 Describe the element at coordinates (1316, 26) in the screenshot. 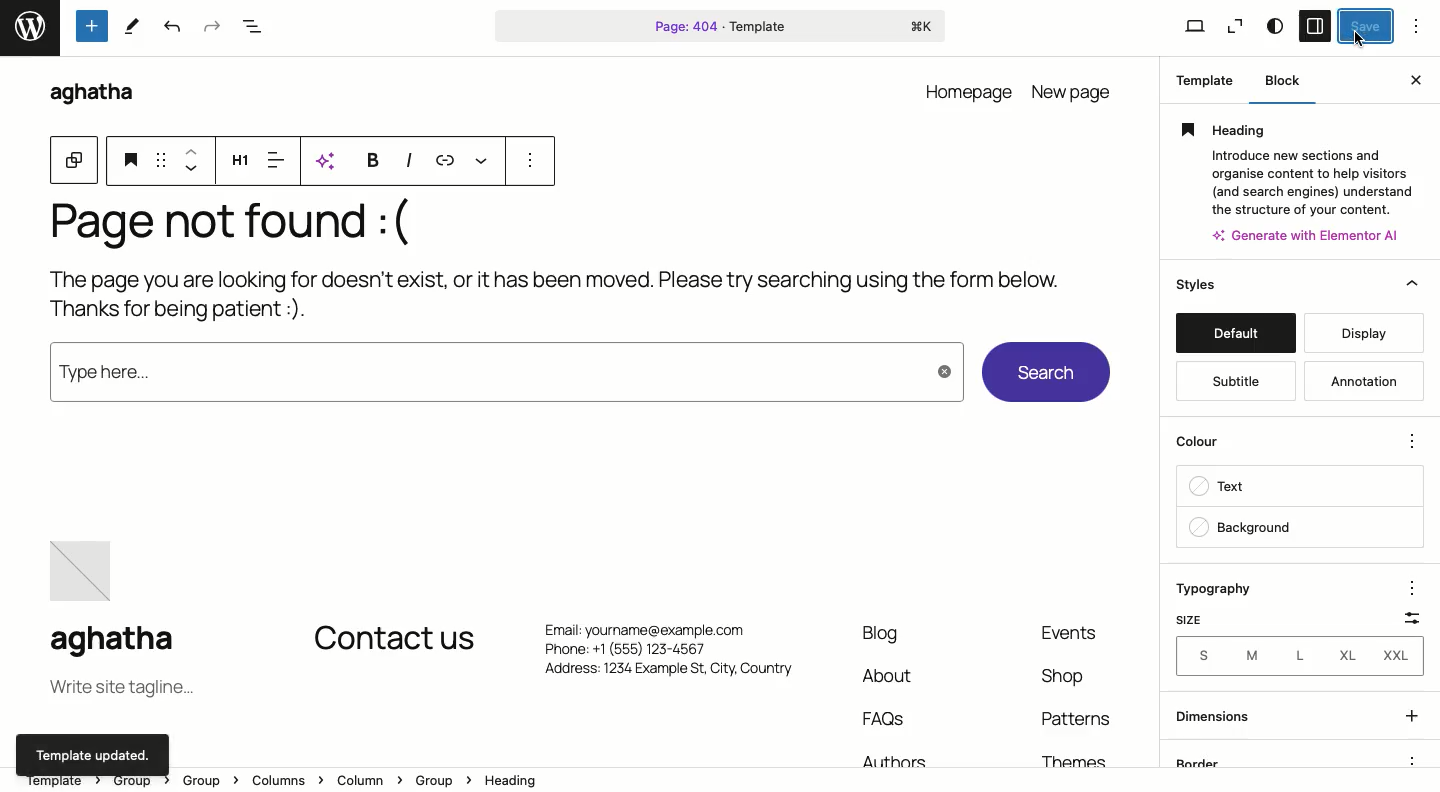

I see `Sidebar` at that location.